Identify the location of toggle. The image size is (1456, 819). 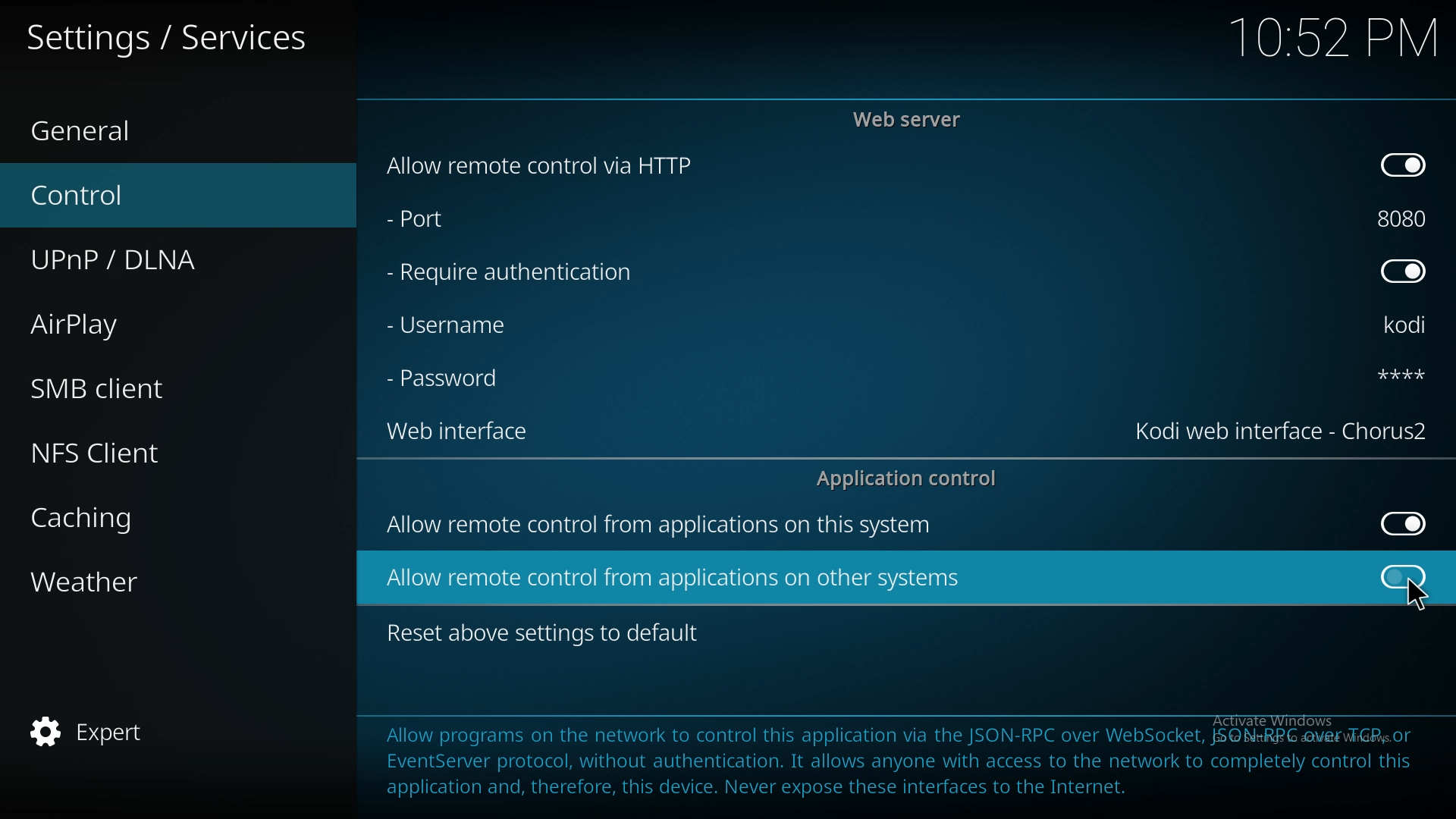
(1404, 524).